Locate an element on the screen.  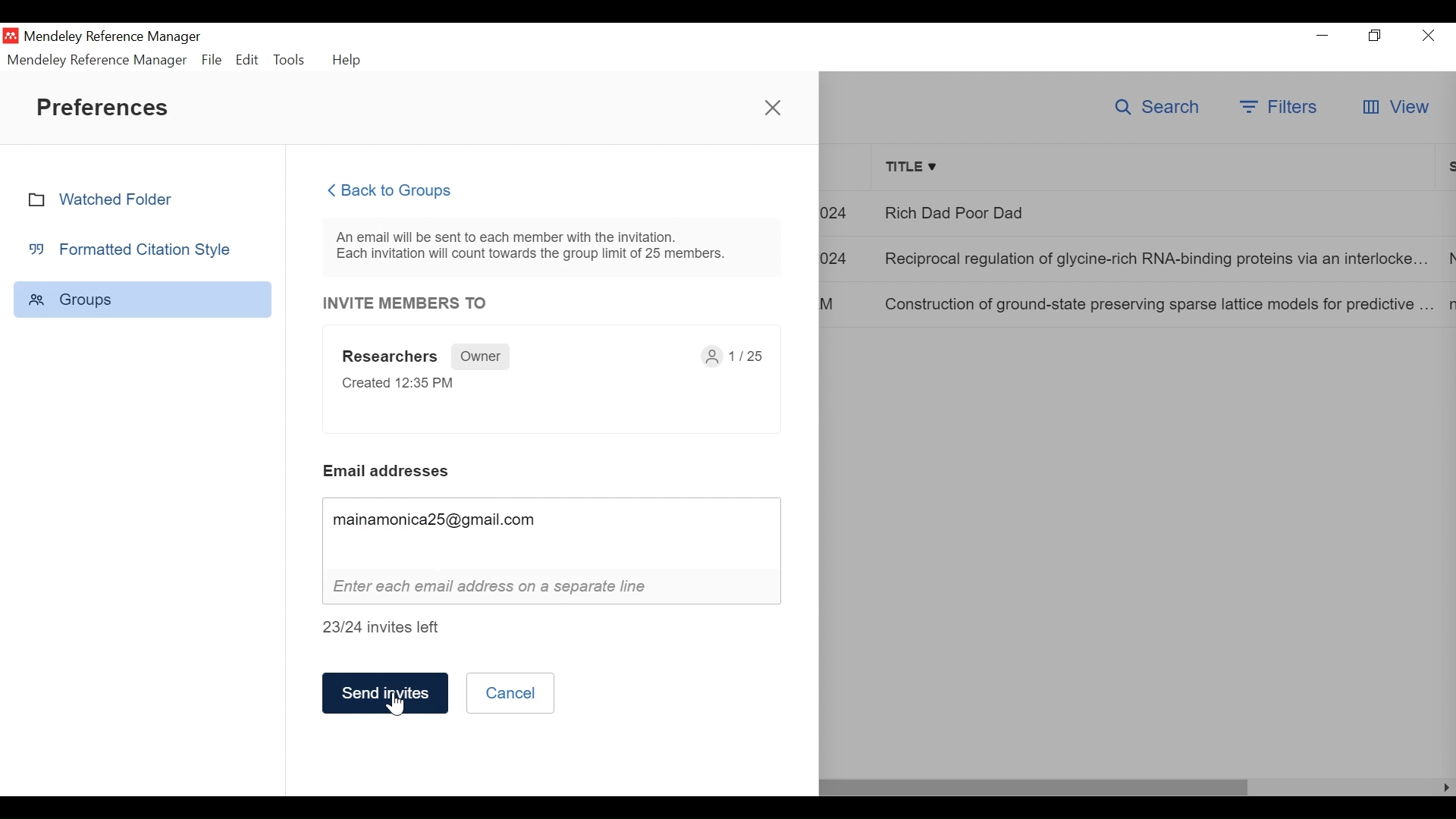
Preferences is located at coordinates (107, 107).